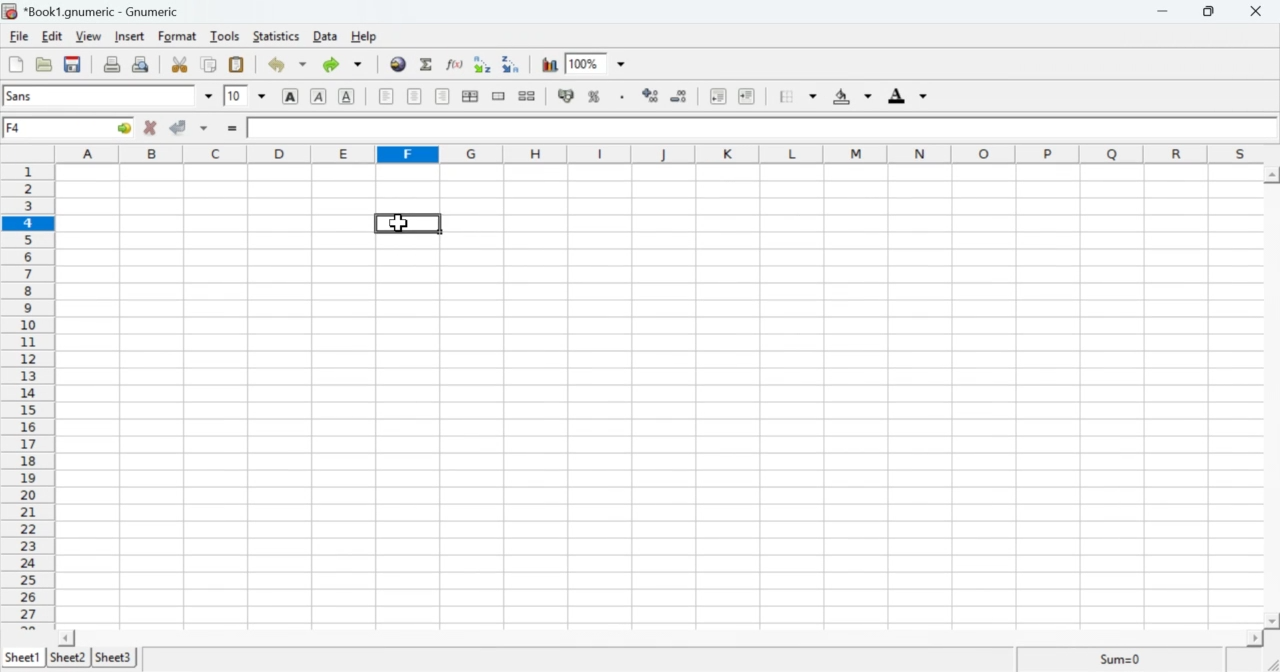  What do you see at coordinates (790, 95) in the screenshot?
I see `Border` at bounding box center [790, 95].